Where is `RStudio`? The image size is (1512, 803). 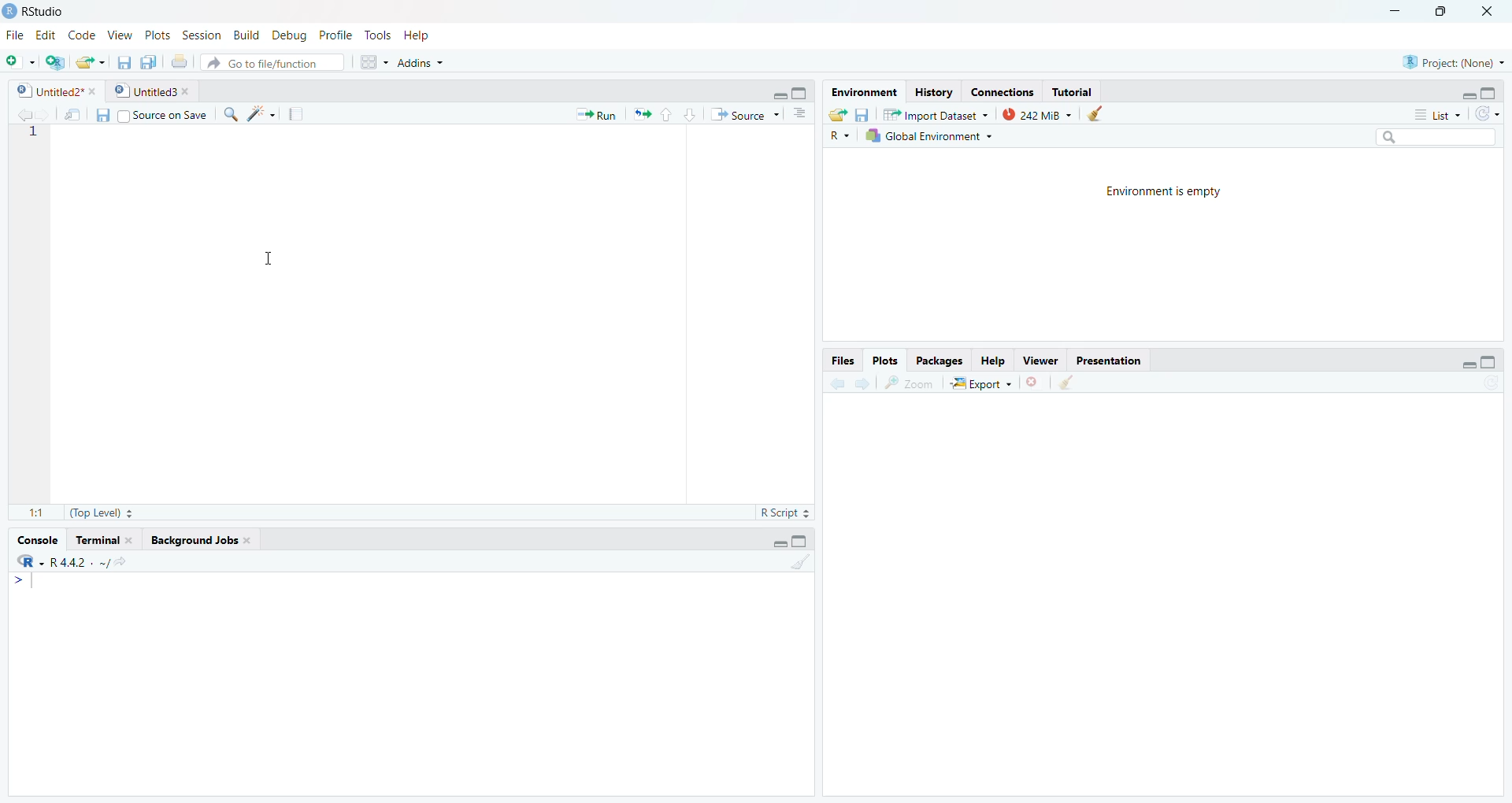
RStudio is located at coordinates (49, 12).